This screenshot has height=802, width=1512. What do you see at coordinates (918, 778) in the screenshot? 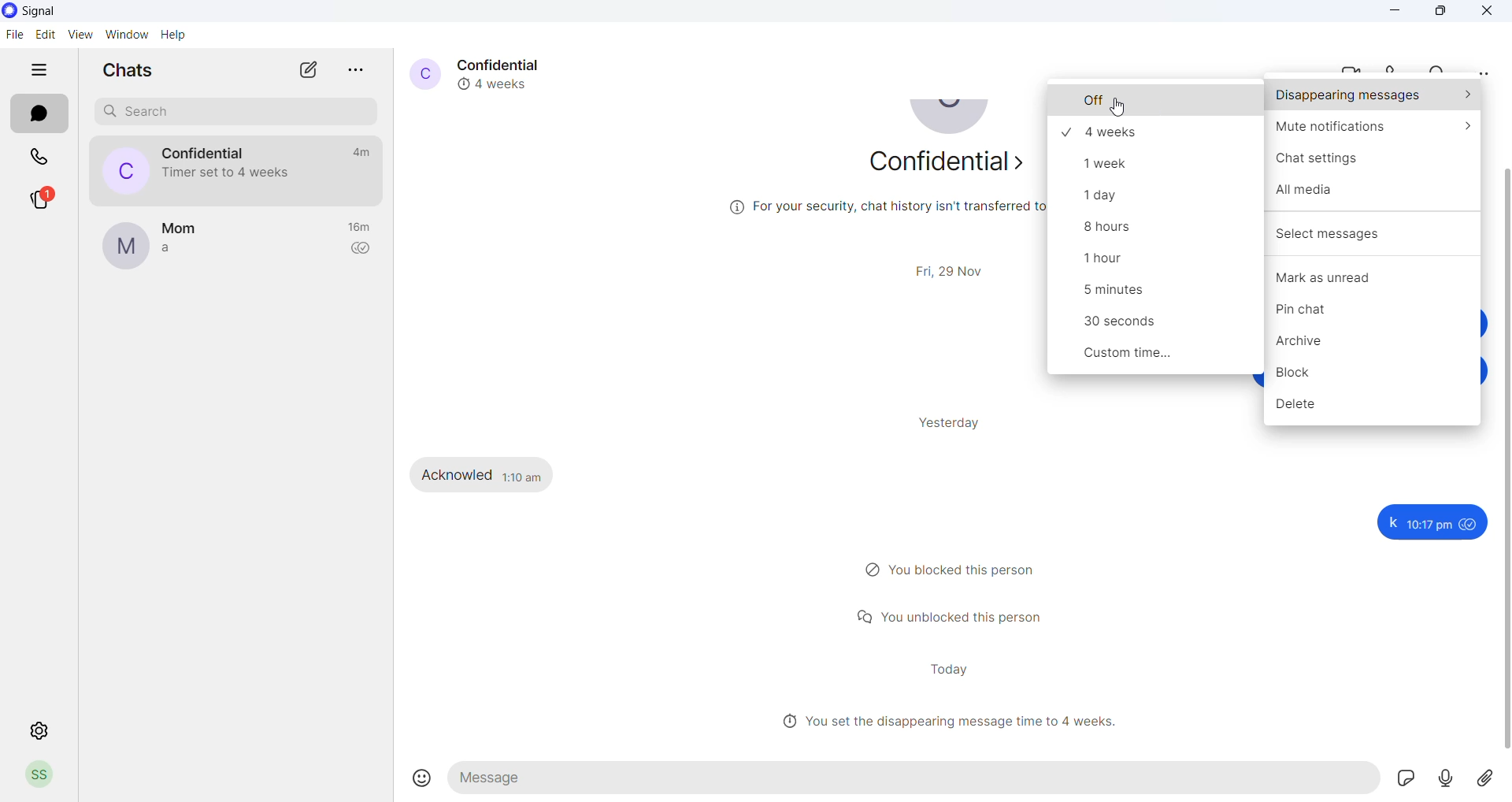
I see `message text area` at bounding box center [918, 778].